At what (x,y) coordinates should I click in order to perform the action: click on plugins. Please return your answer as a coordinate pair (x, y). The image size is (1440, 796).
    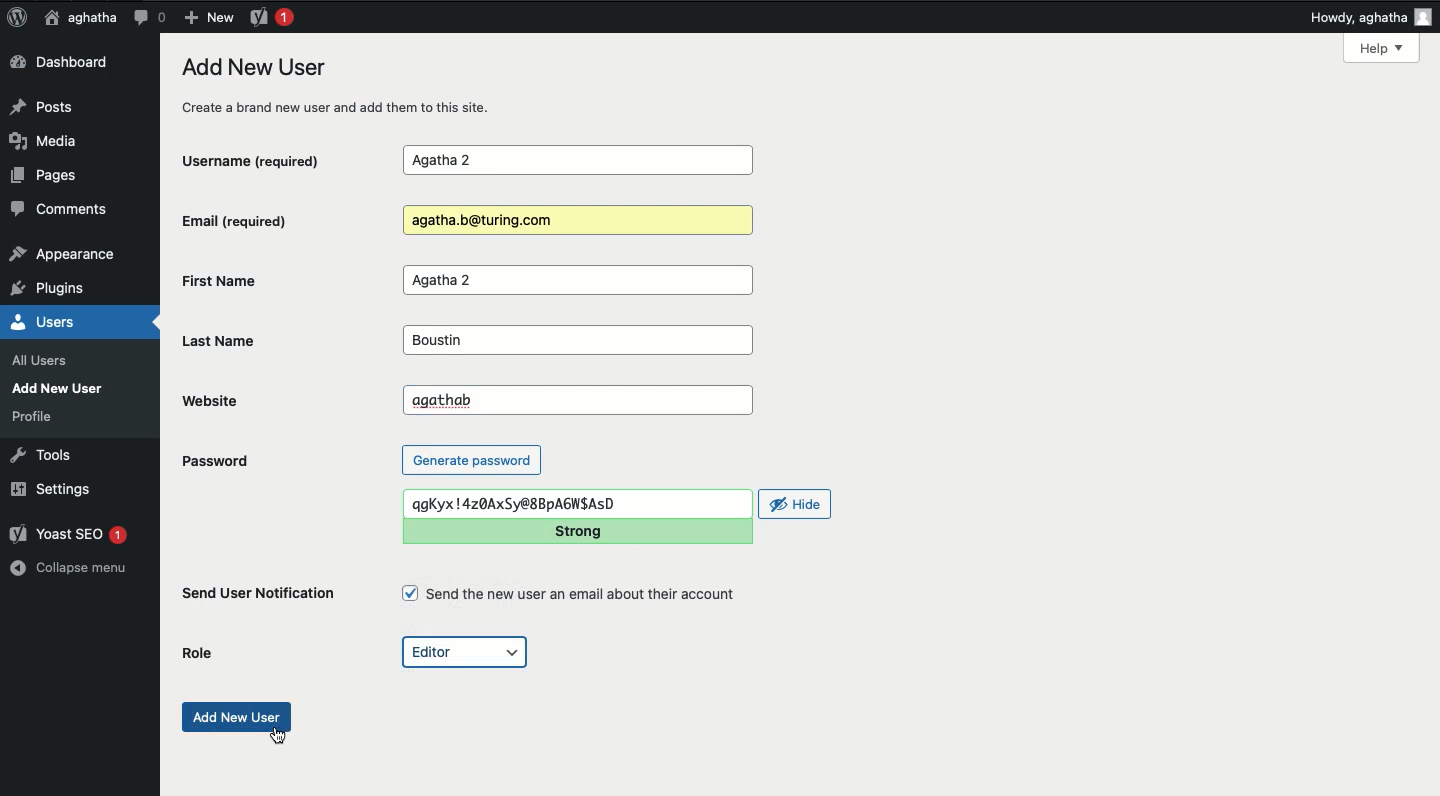
    Looking at the image, I should click on (58, 289).